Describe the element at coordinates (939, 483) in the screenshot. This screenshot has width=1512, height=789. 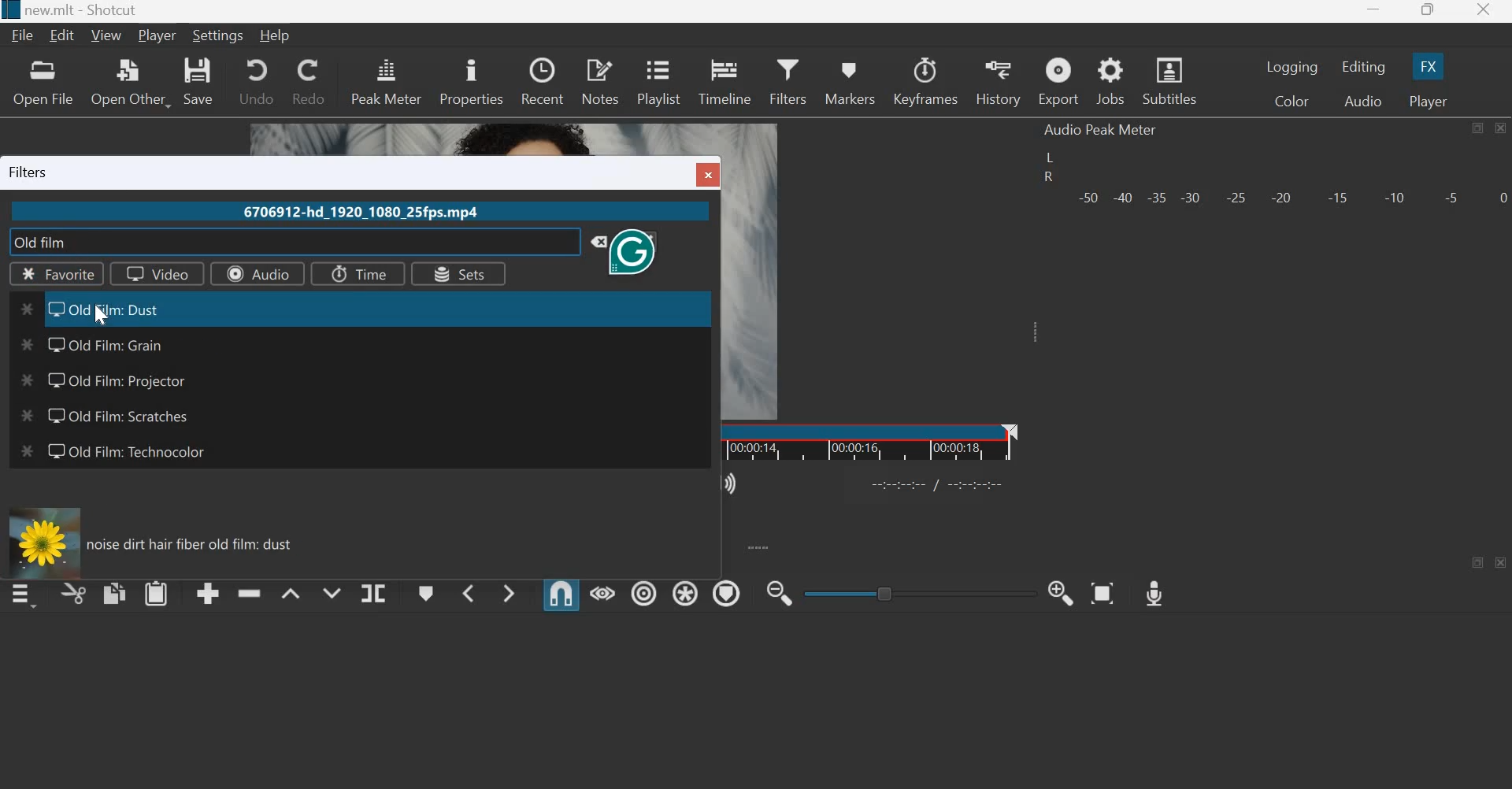
I see `` at that location.